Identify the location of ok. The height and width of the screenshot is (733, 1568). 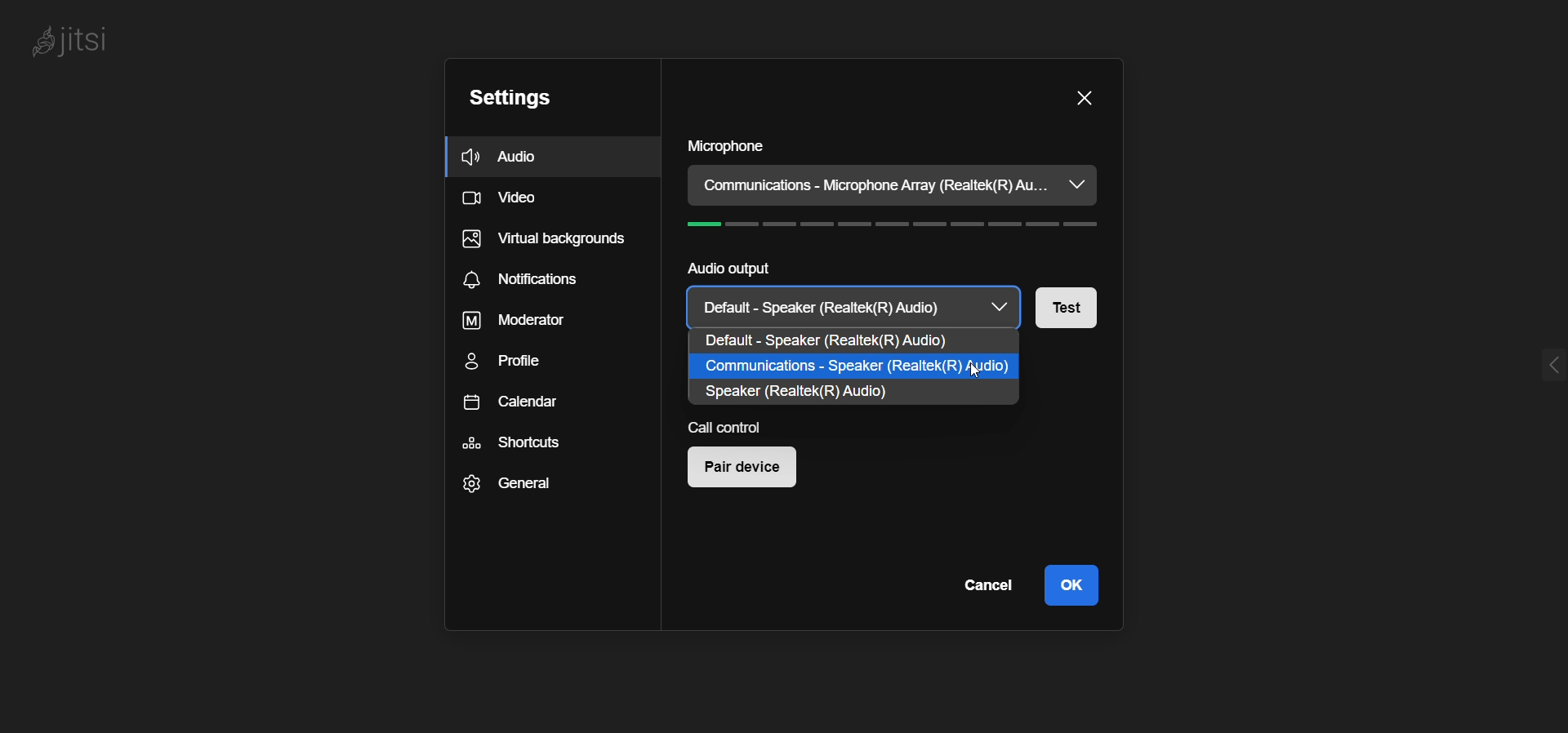
(1071, 584).